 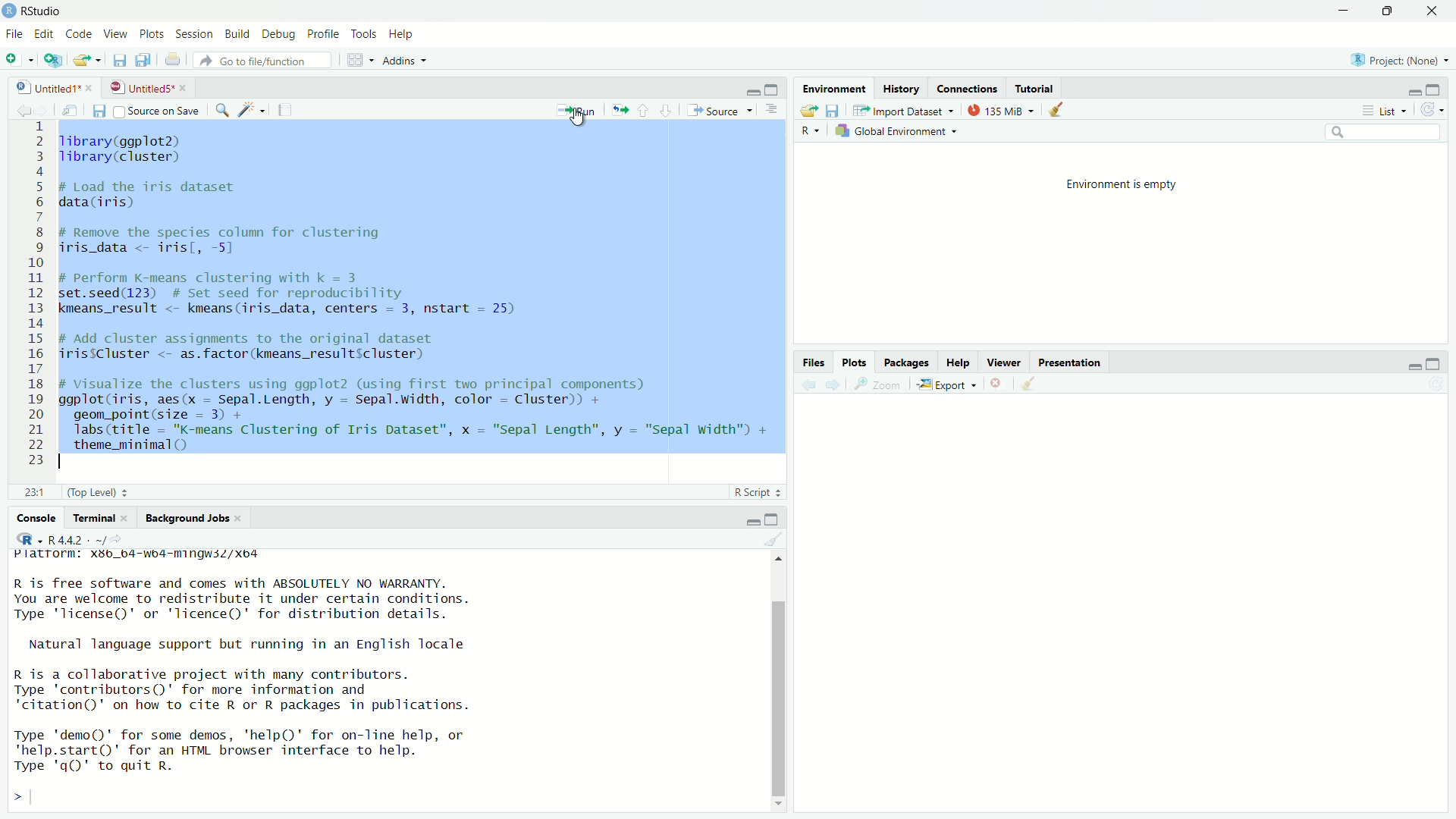 What do you see at coordinates (645, 108) in the screenshot?
I see `go to previous section/chunk` at bounding box center [645, 108].